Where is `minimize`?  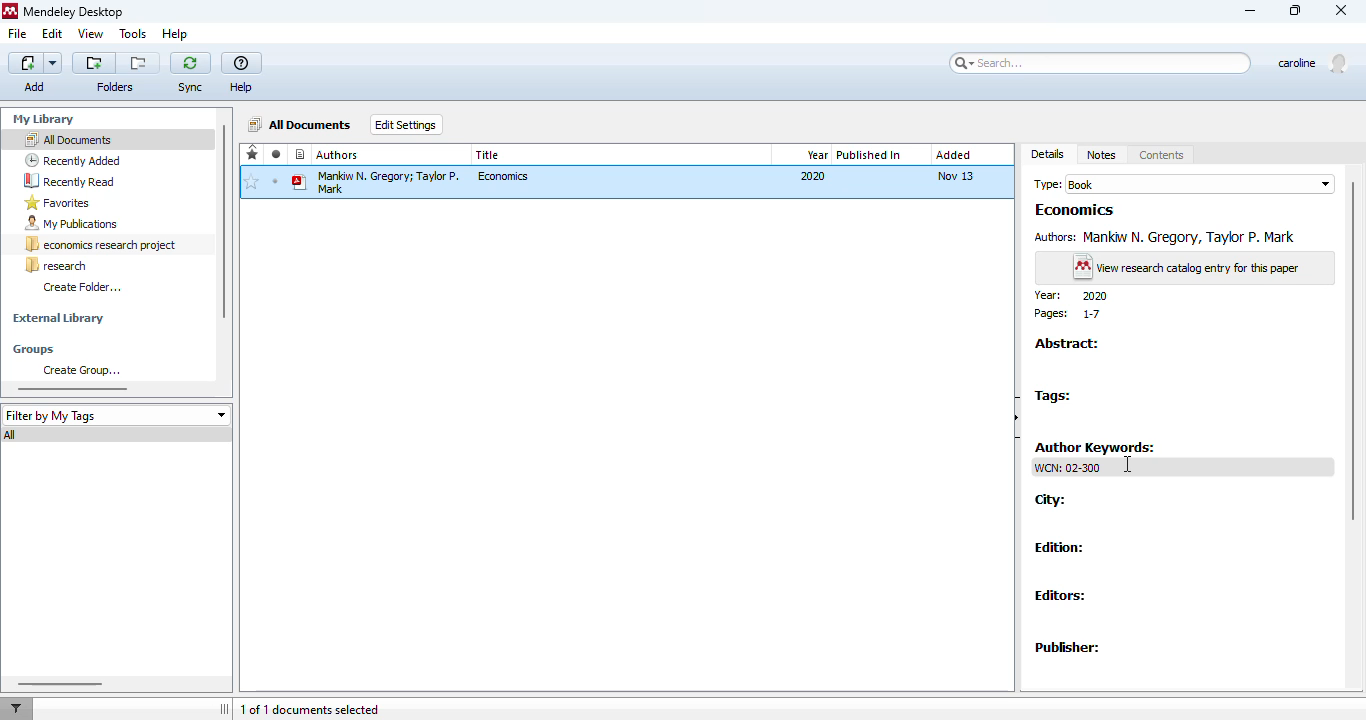 minimize is located at coordinates (1251, 11).